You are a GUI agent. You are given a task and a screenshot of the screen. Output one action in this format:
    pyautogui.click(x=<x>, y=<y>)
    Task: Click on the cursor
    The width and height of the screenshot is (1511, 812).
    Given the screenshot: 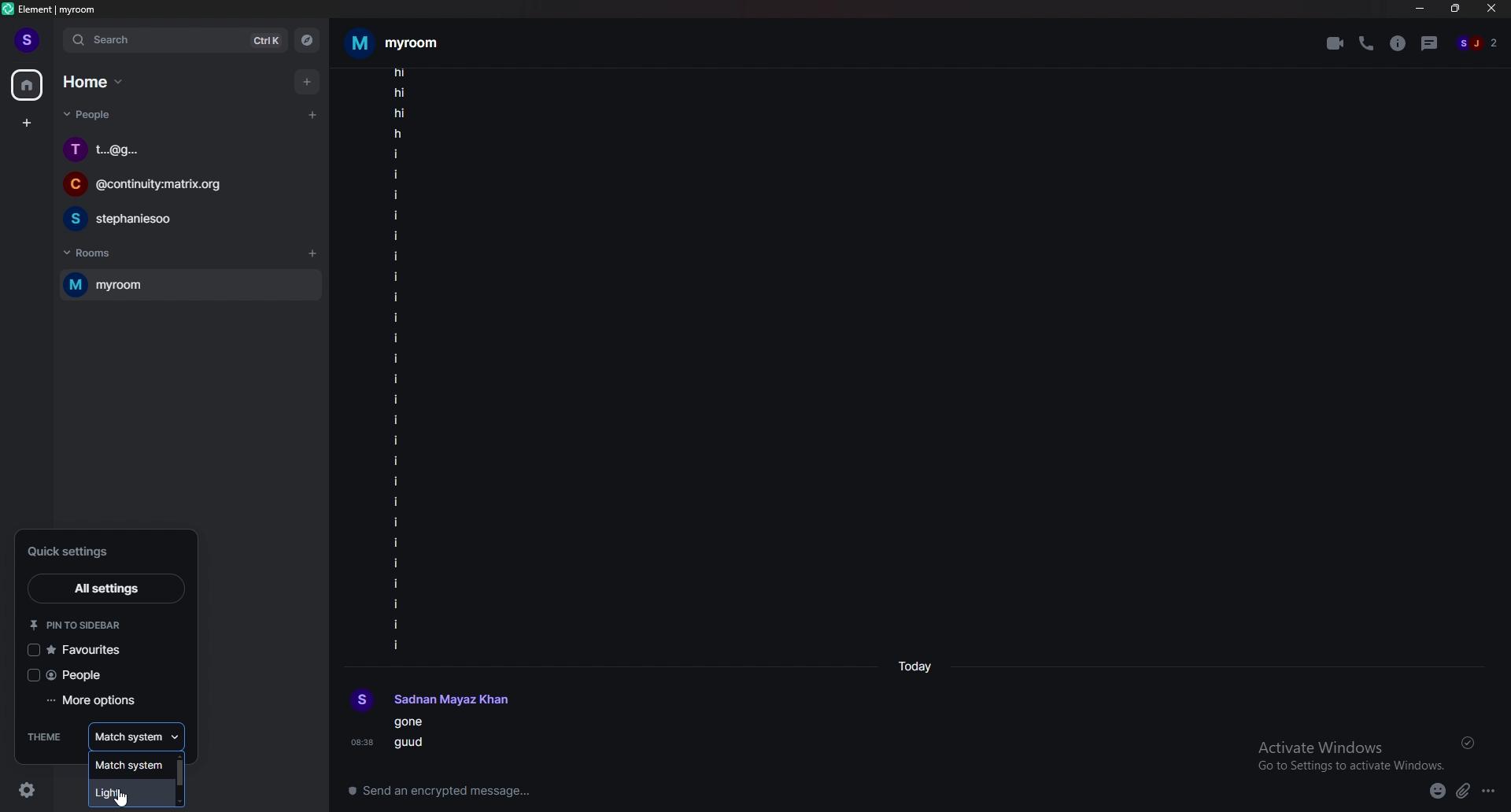 What is the action you would take?
    pyautogui.click(x=128, y=799)
    